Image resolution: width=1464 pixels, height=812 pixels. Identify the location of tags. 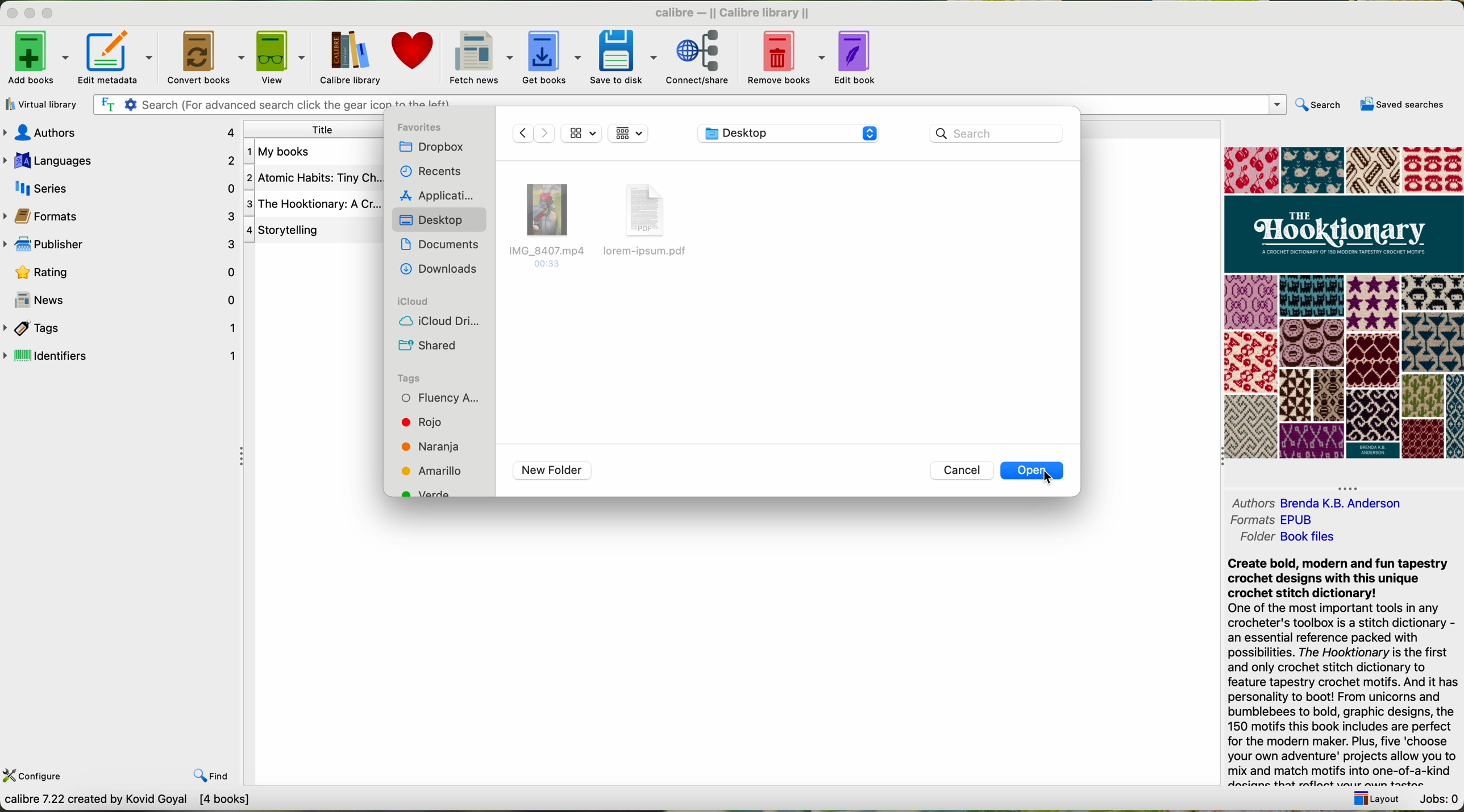
(117, 327).